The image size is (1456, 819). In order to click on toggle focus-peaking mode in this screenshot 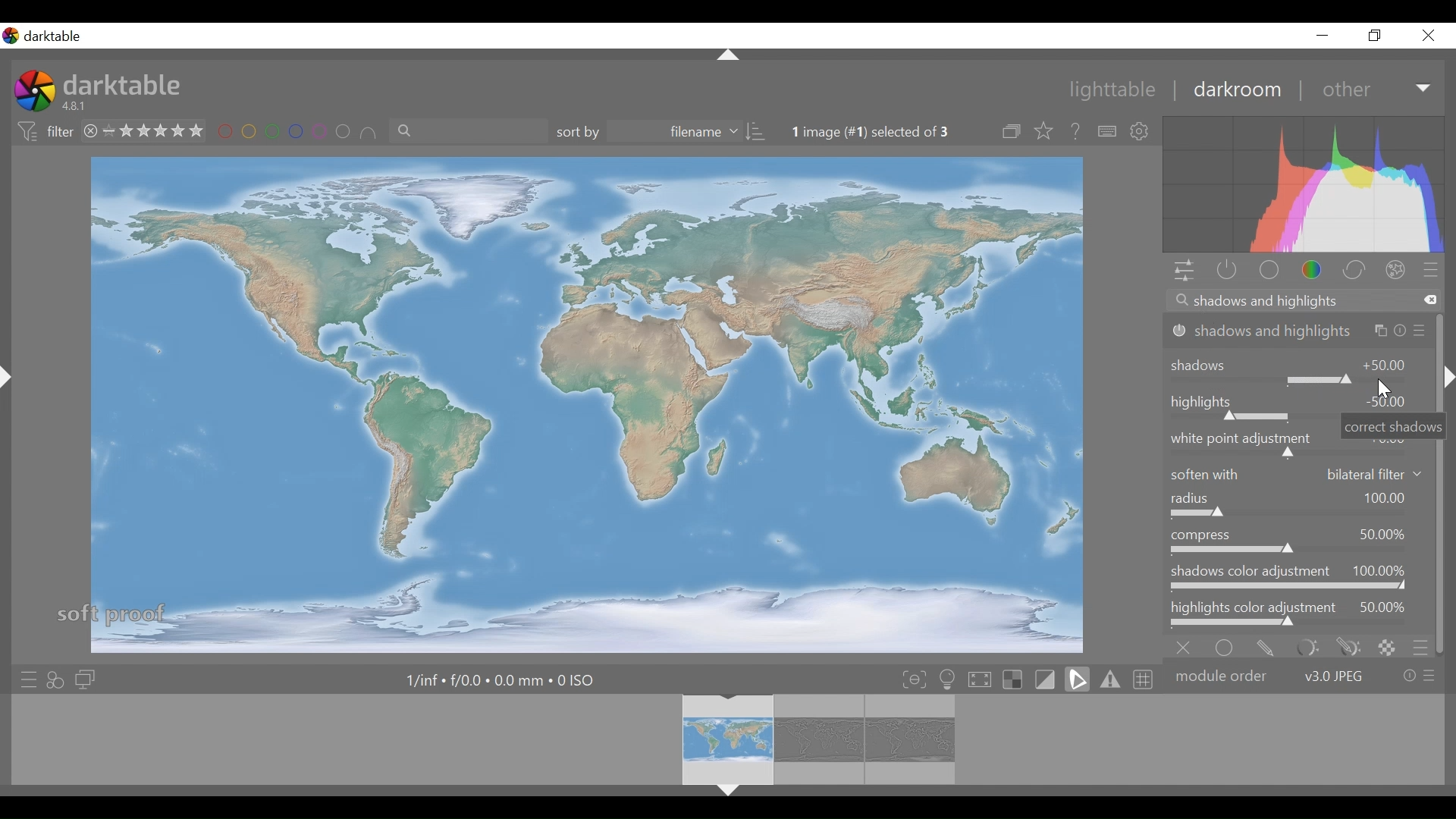, I will do `click(914, 679)`.